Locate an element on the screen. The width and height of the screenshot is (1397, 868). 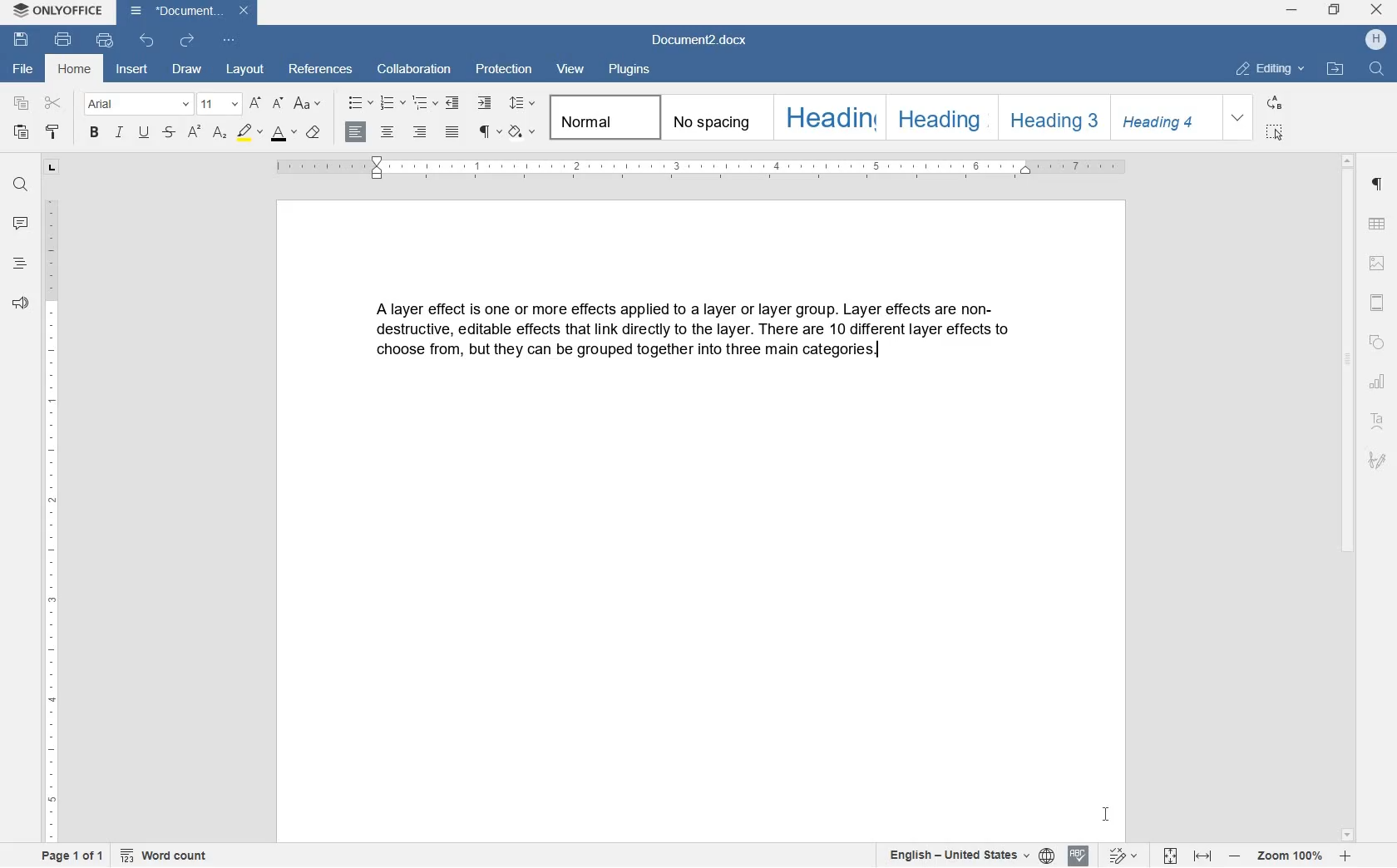
TAB STOP is located at coordinates (50, 169).